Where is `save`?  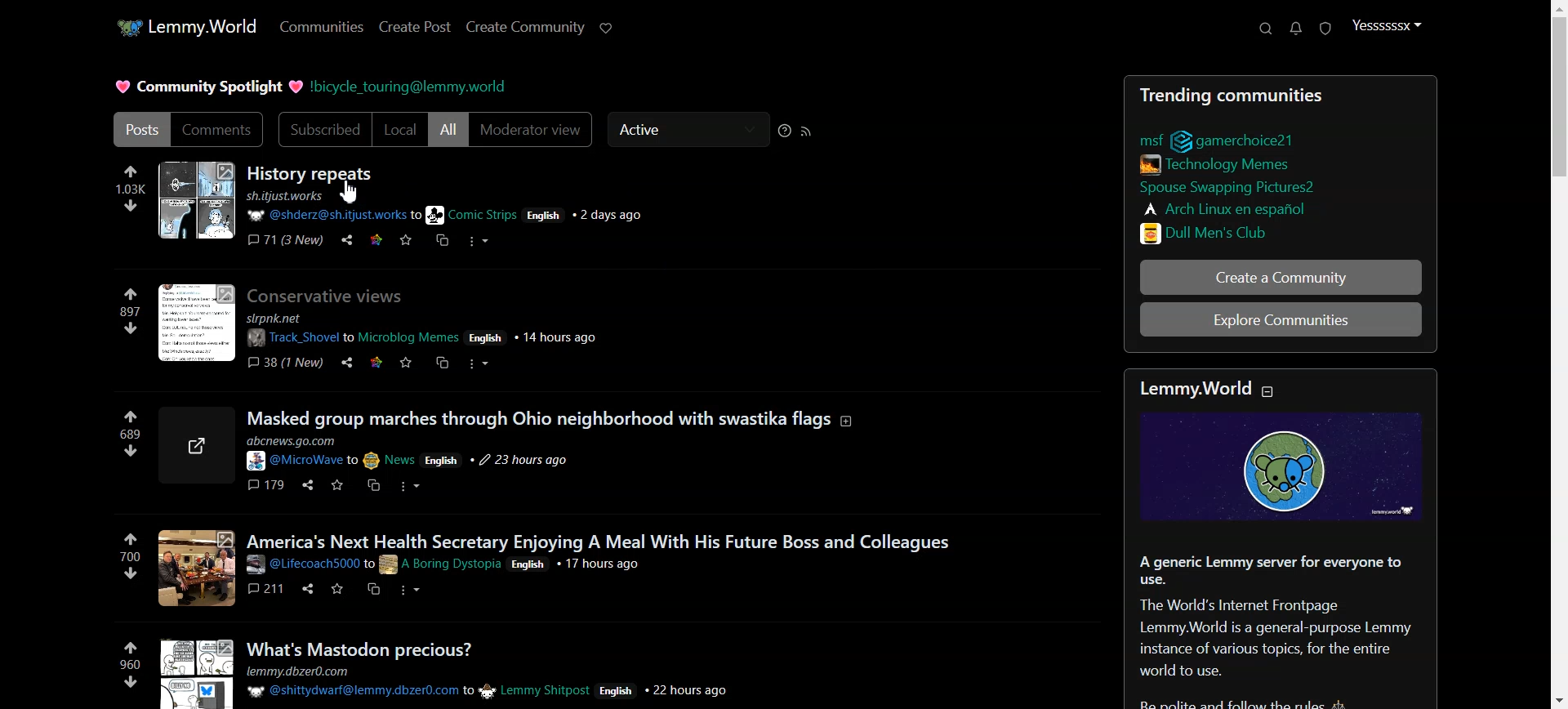
save is located at coordinates (341, 487).